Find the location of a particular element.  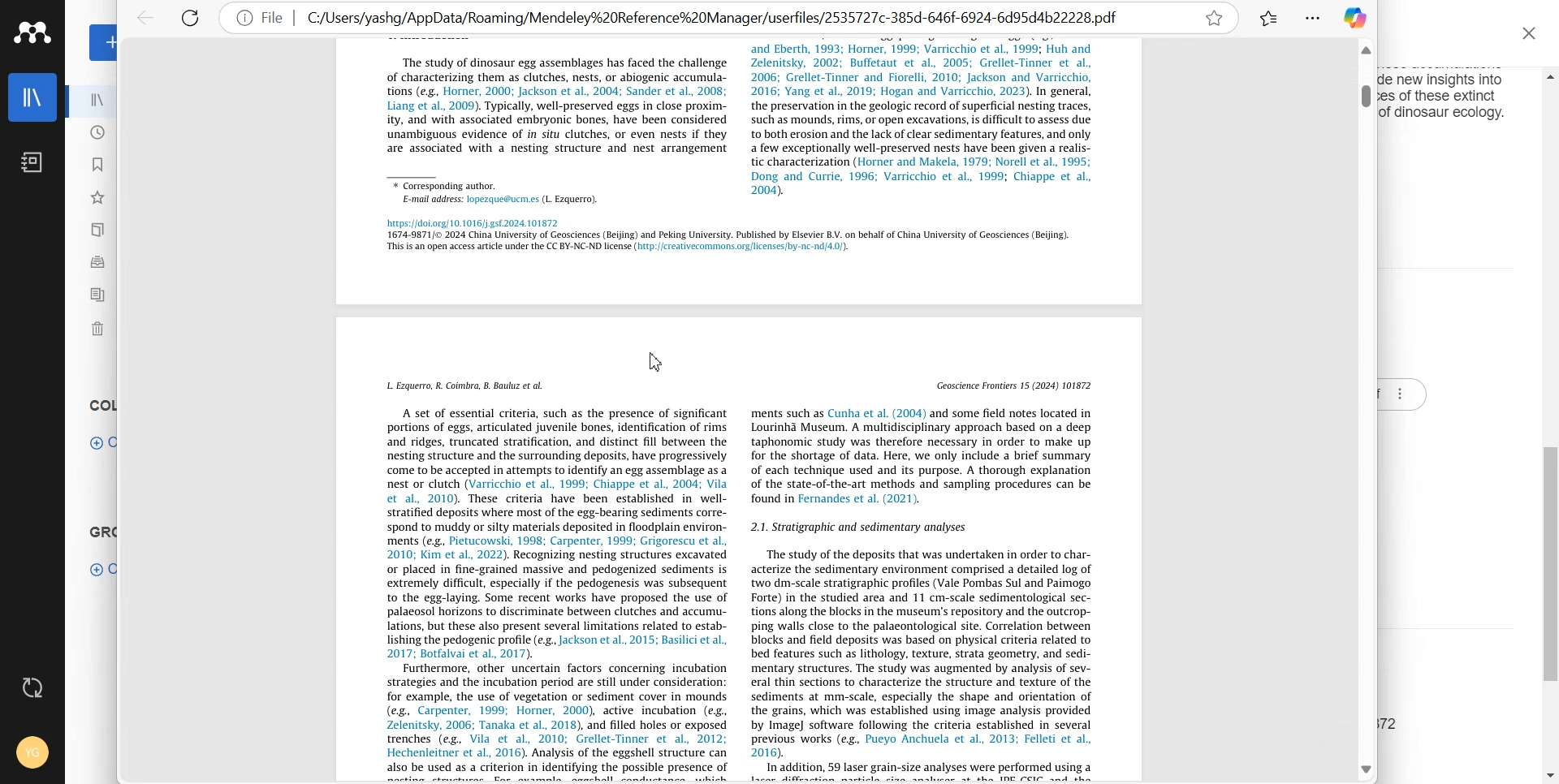

Favorites is located at coordinates (1268, 19).